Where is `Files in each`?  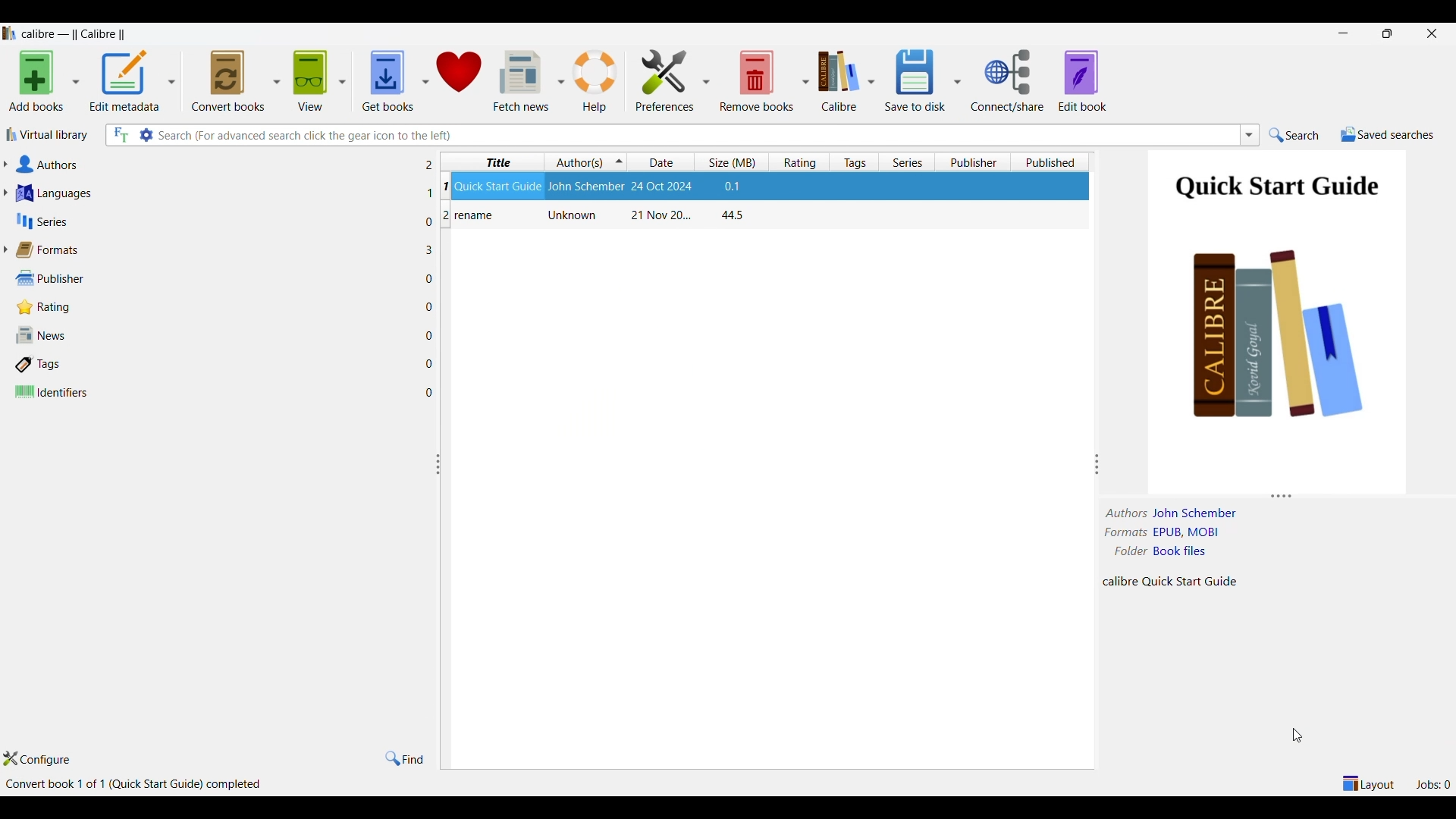 Files in each is located at coordinates (431, 277).